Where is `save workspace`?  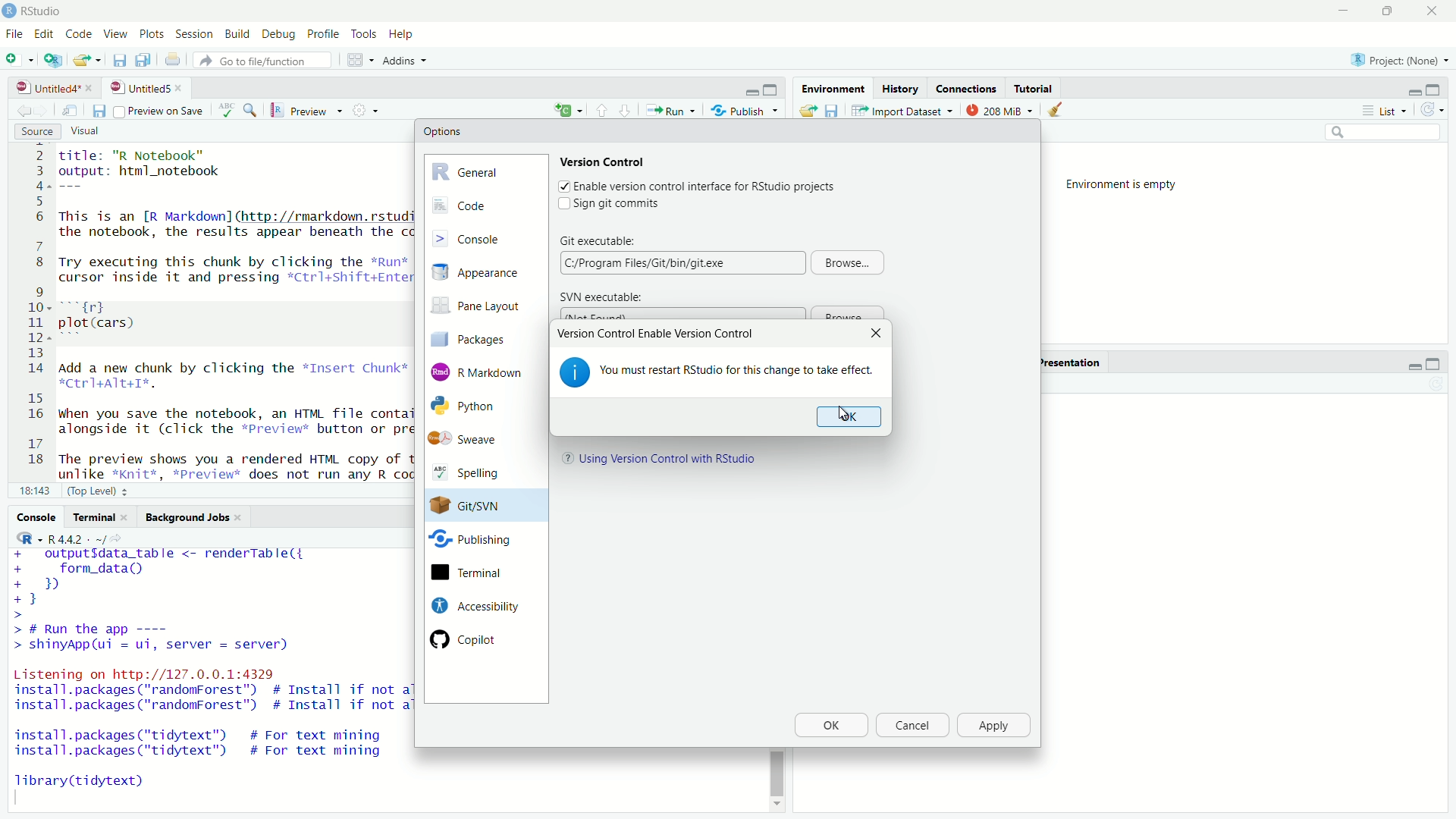
save workspace is located at coordinates (832, 110).